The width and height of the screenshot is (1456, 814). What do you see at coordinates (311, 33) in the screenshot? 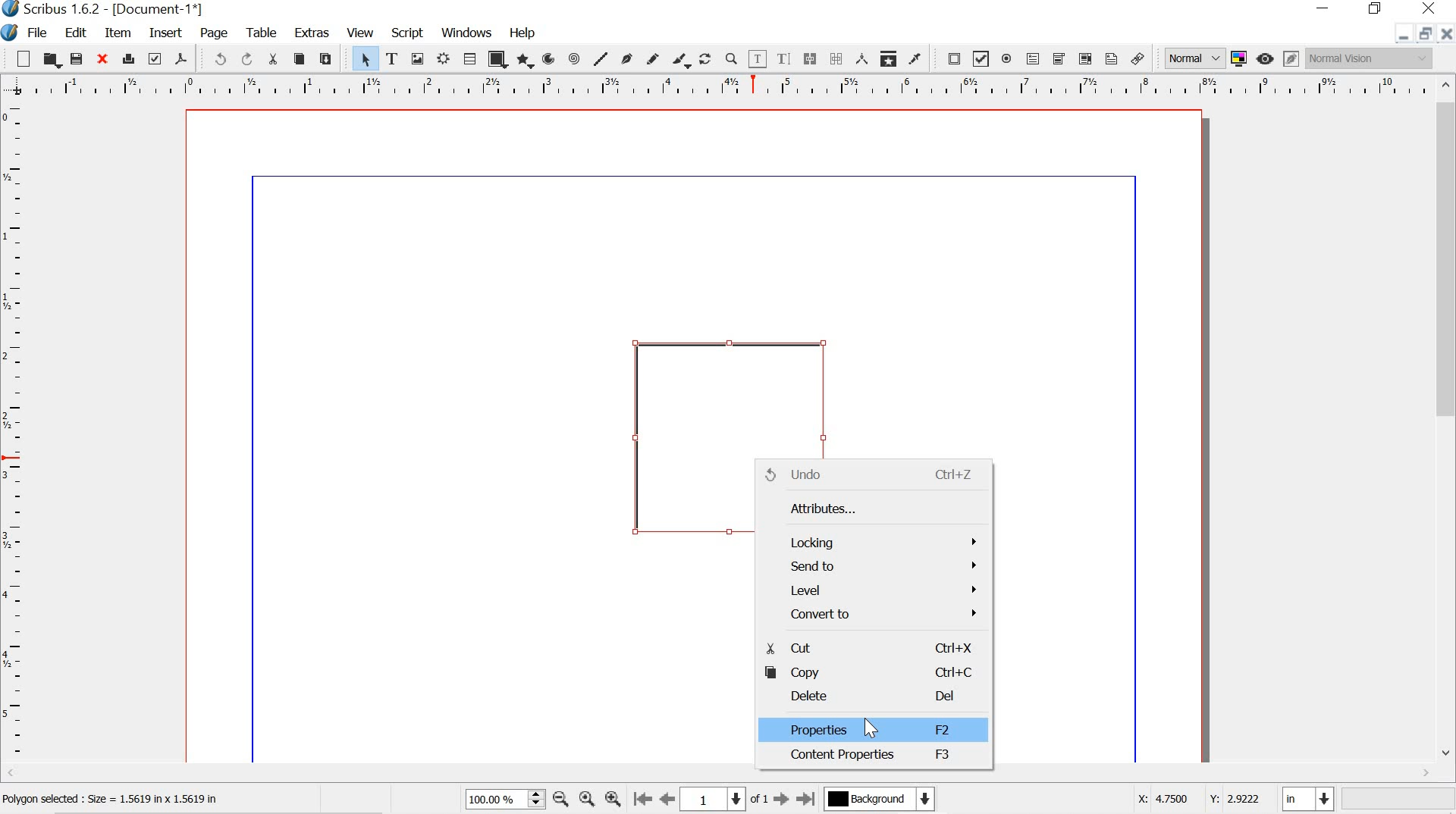
I see `extras` at bounding box center [311, 33].